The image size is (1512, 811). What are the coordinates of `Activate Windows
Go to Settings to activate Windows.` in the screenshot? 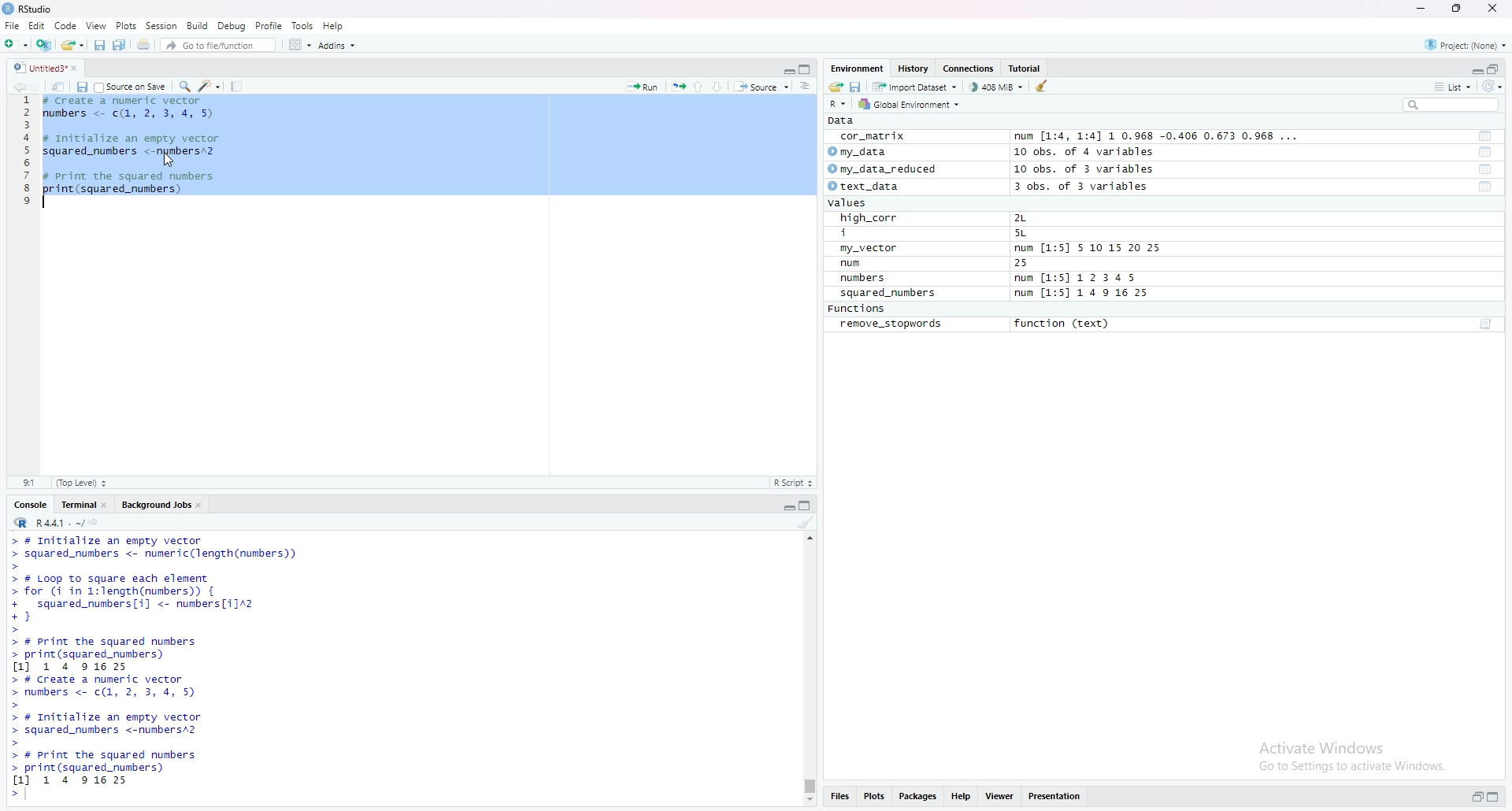 It's located at (1354, 754).